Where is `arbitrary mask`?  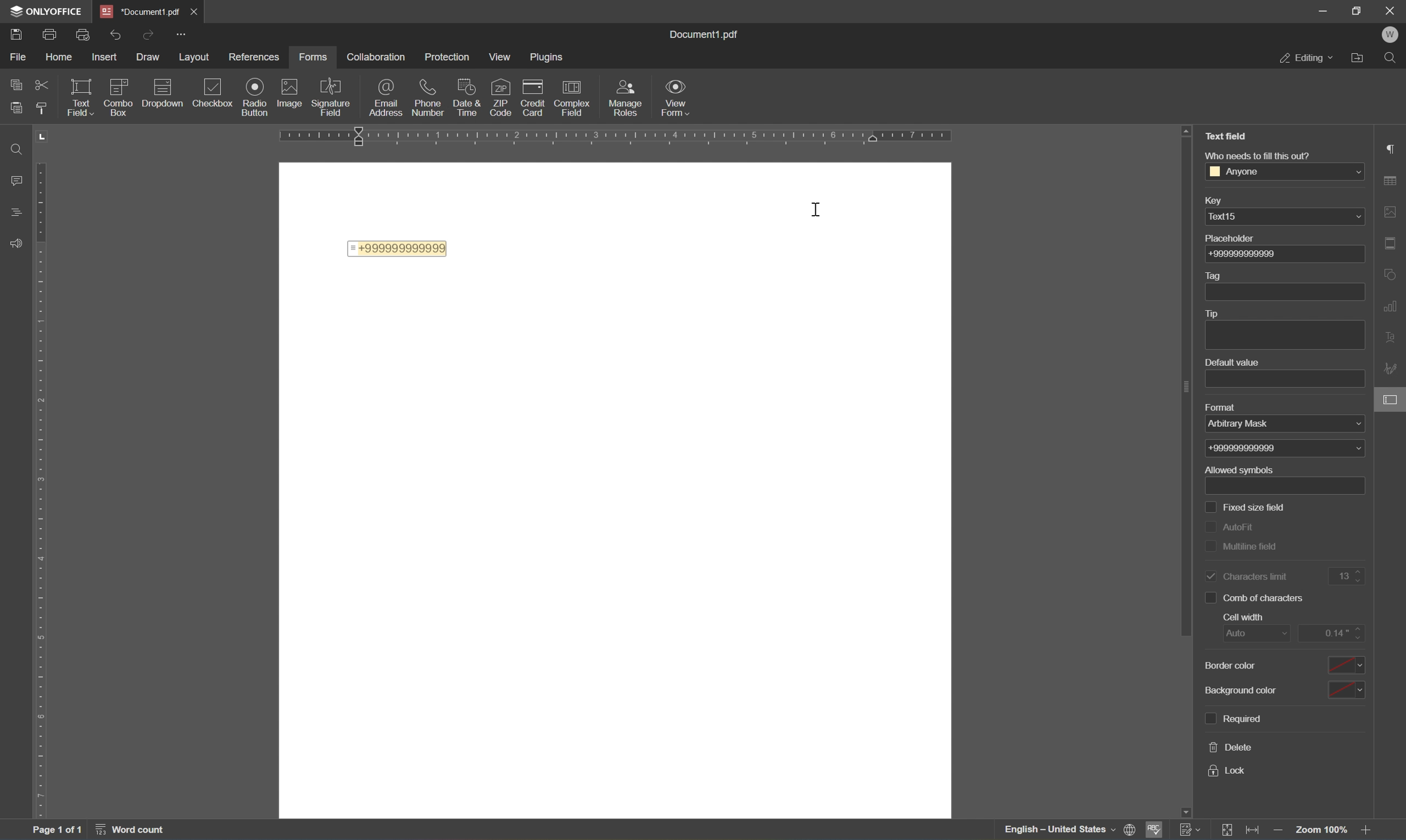
arbitrary mask is located at coordinates (1247, 426).